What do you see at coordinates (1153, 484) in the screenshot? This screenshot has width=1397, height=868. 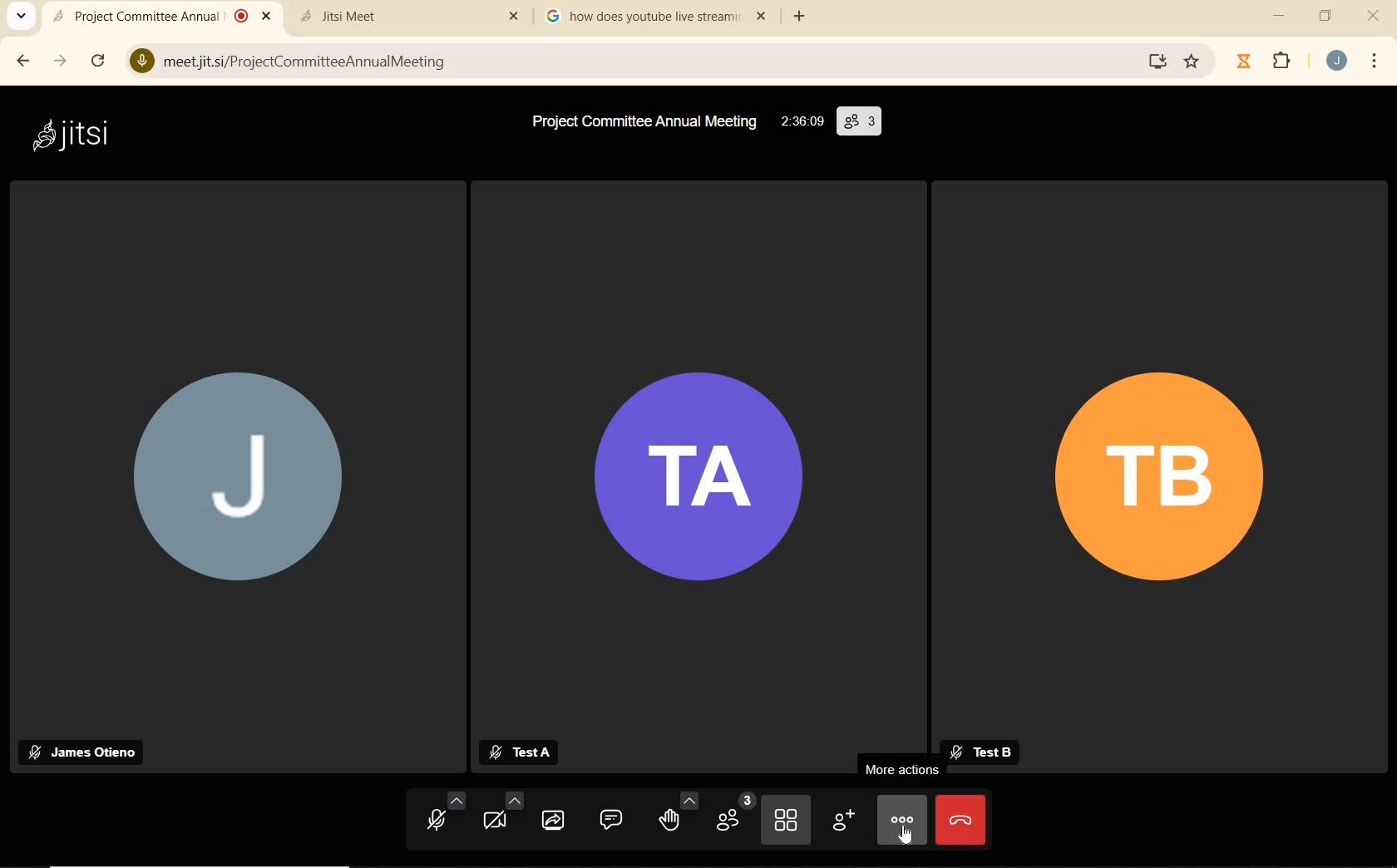 I see `TB` at bounding box center [1153, 484].